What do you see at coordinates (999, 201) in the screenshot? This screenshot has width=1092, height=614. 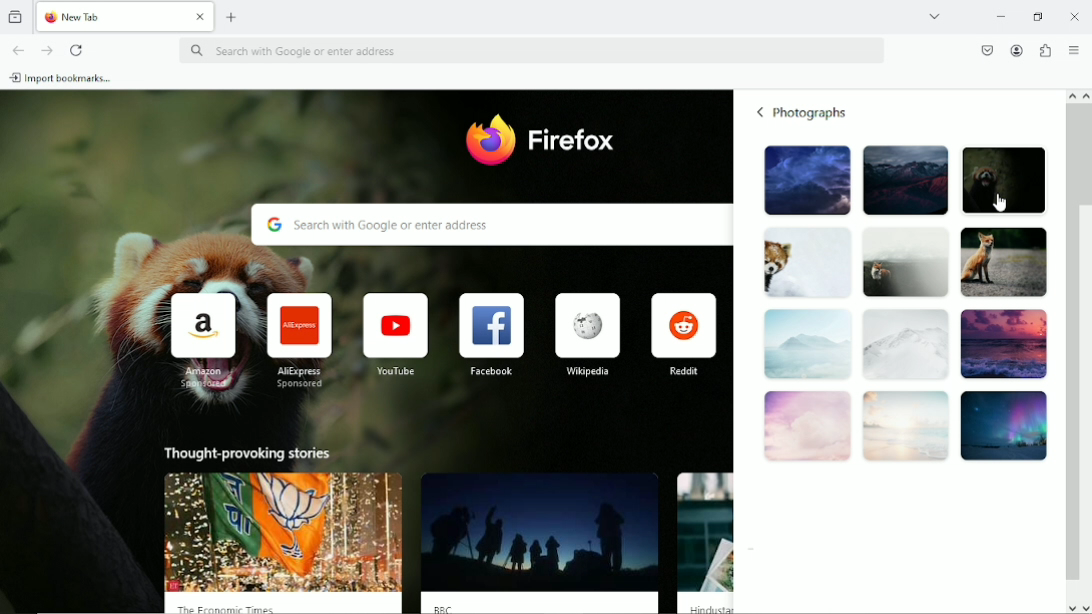 I see `Cursor` at bounding box center [999, 201].